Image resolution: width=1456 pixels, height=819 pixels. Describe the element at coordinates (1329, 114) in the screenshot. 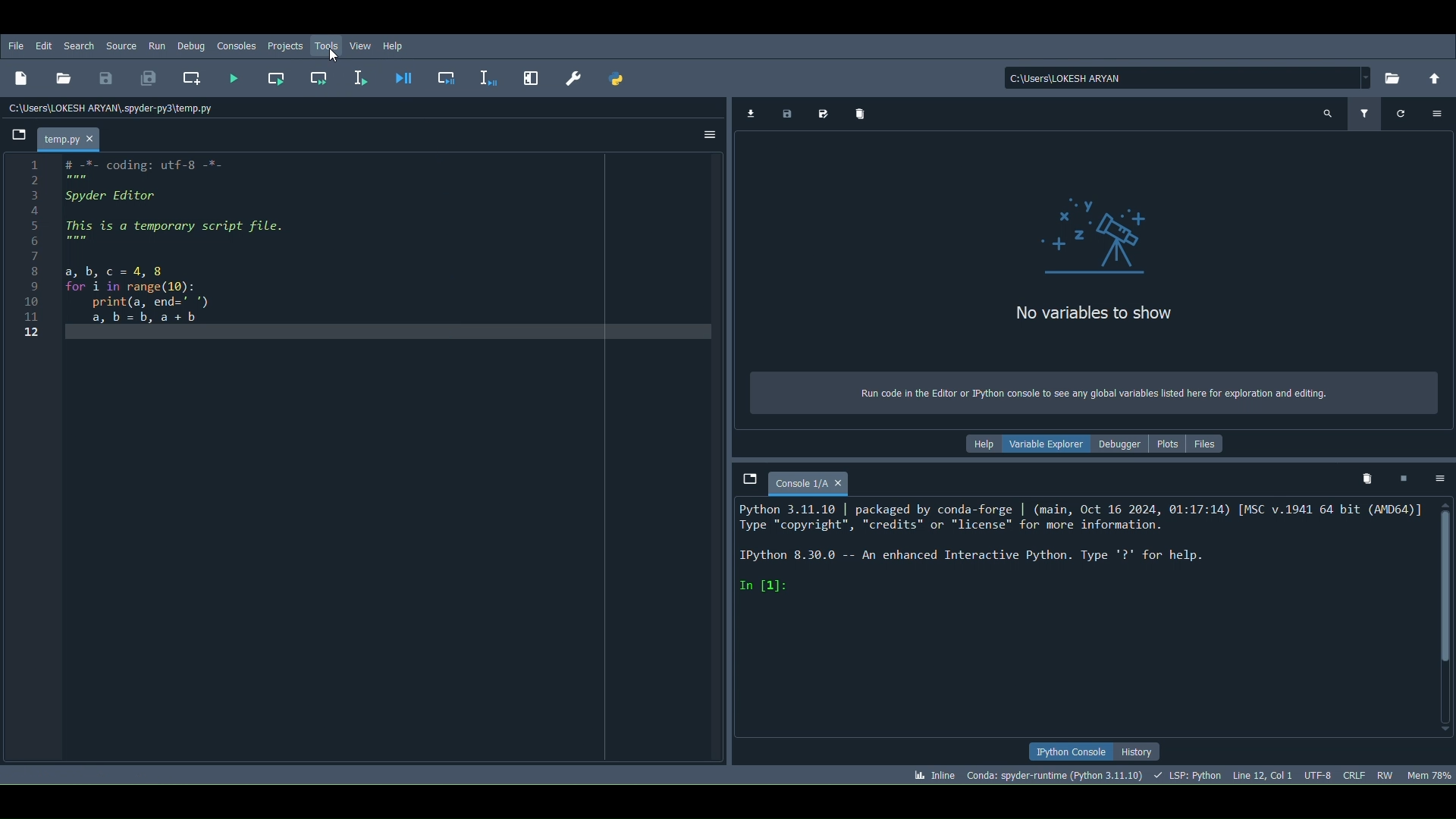

I see `Search variable names and types (Ctrl + F)` at that location.